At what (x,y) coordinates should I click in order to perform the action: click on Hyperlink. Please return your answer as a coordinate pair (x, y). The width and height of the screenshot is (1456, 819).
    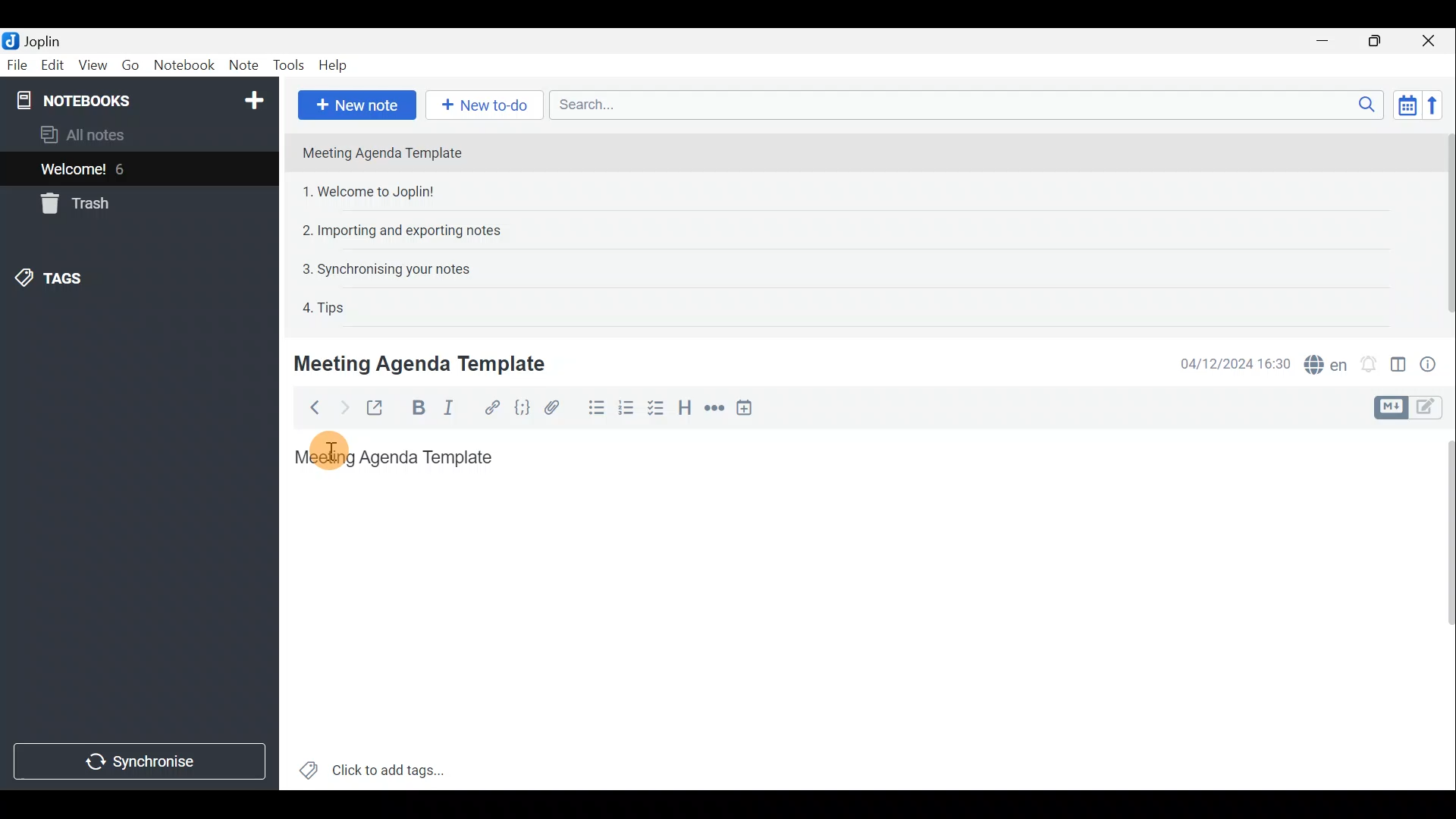
    Looking at the image, I should click on (492, 407).